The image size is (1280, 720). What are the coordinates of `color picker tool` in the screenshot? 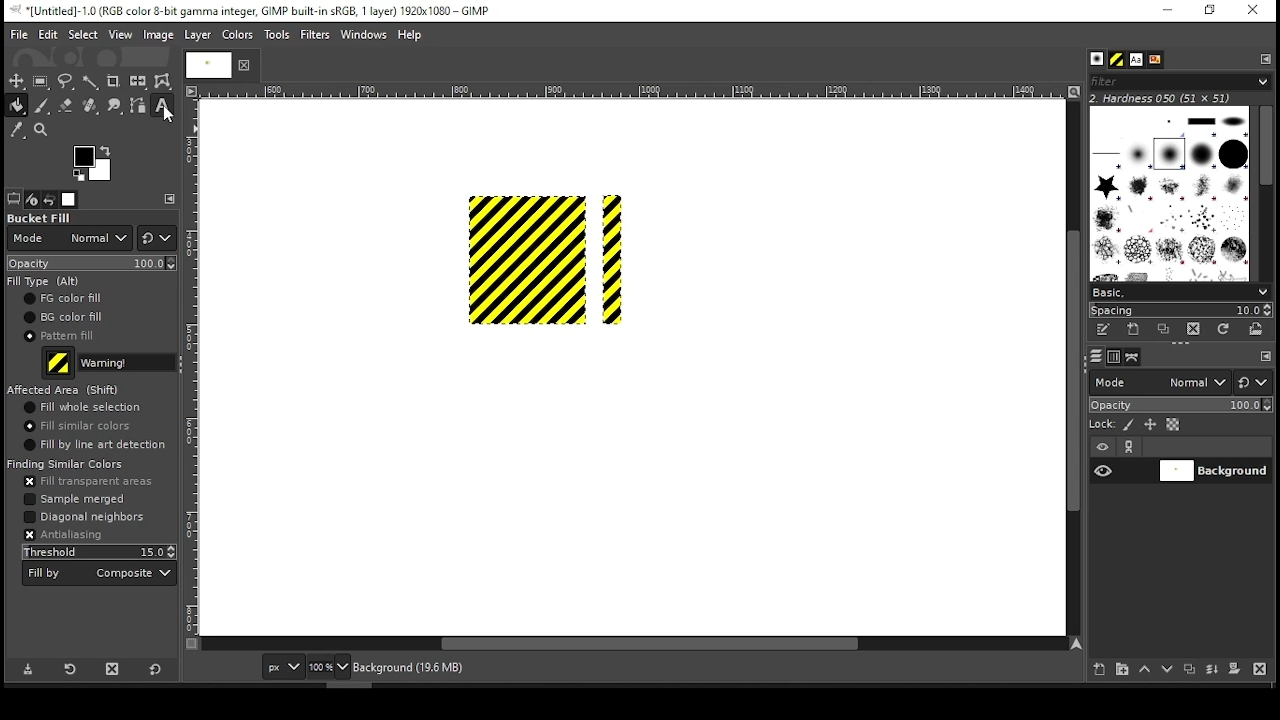 It's located at (16, 132).